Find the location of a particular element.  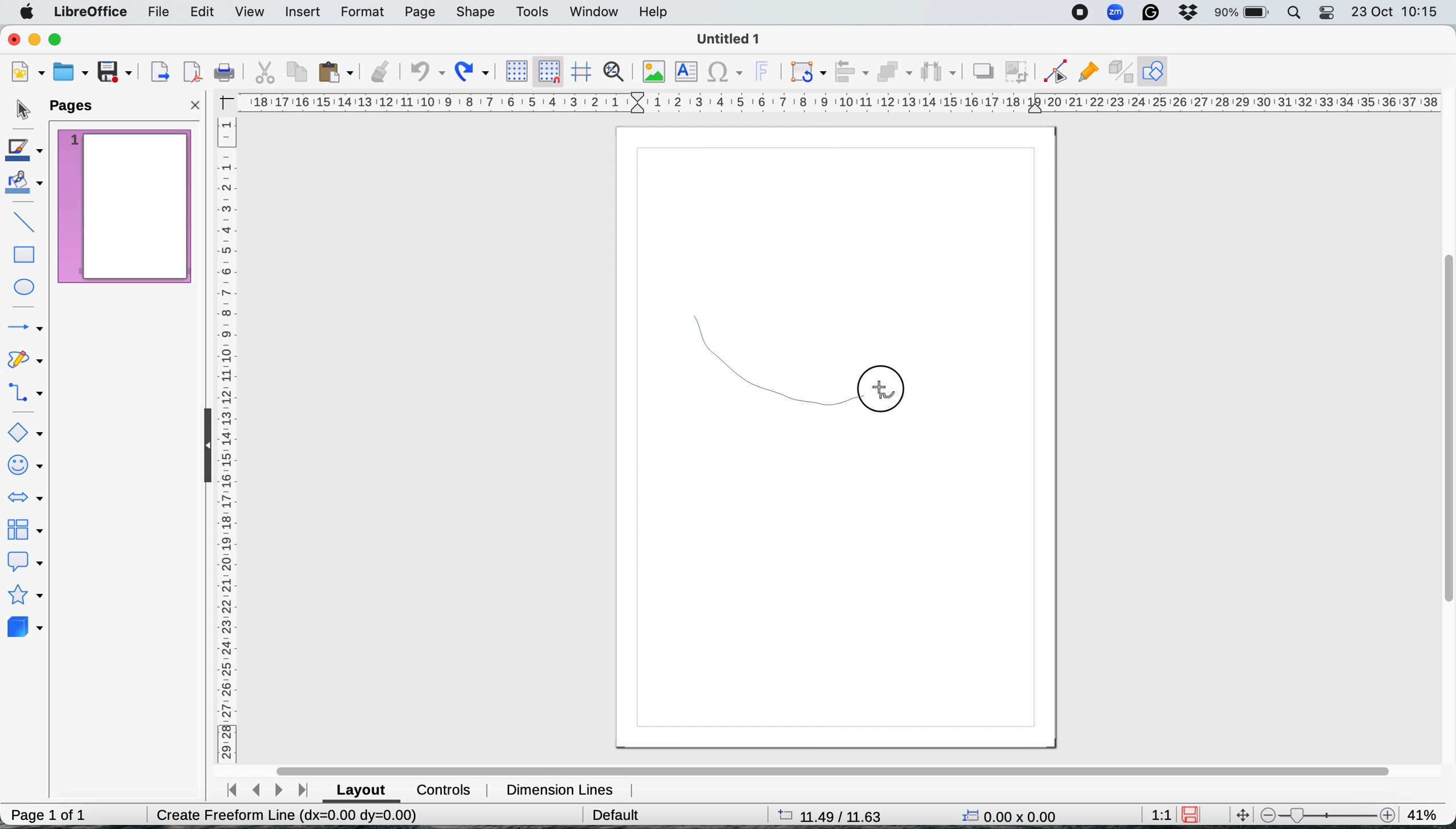

callout shapes is located at coordinates (27, 564).